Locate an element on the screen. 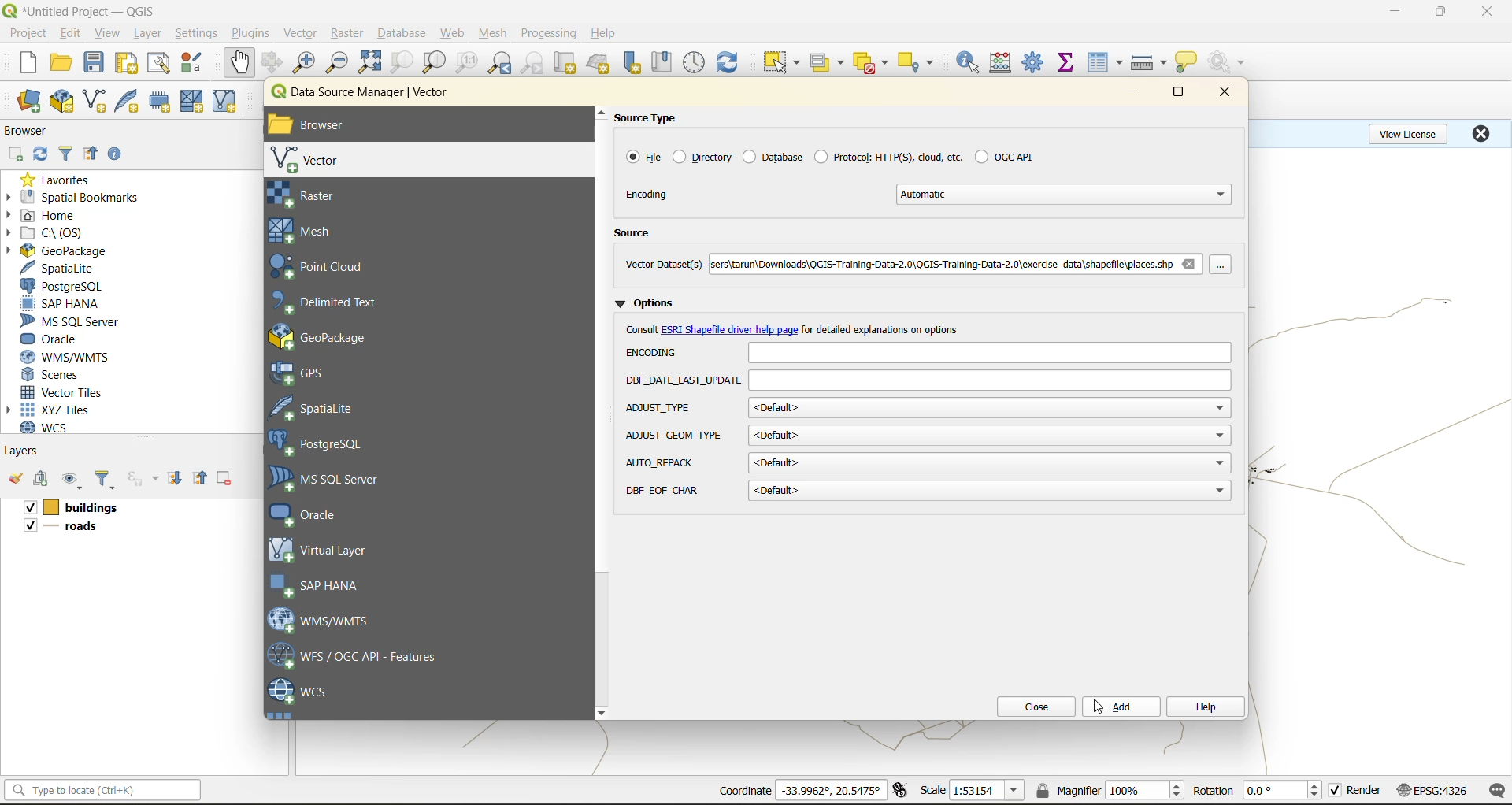 This screenshot has width=1512, height=805. select is located at coordinates (779, 63).